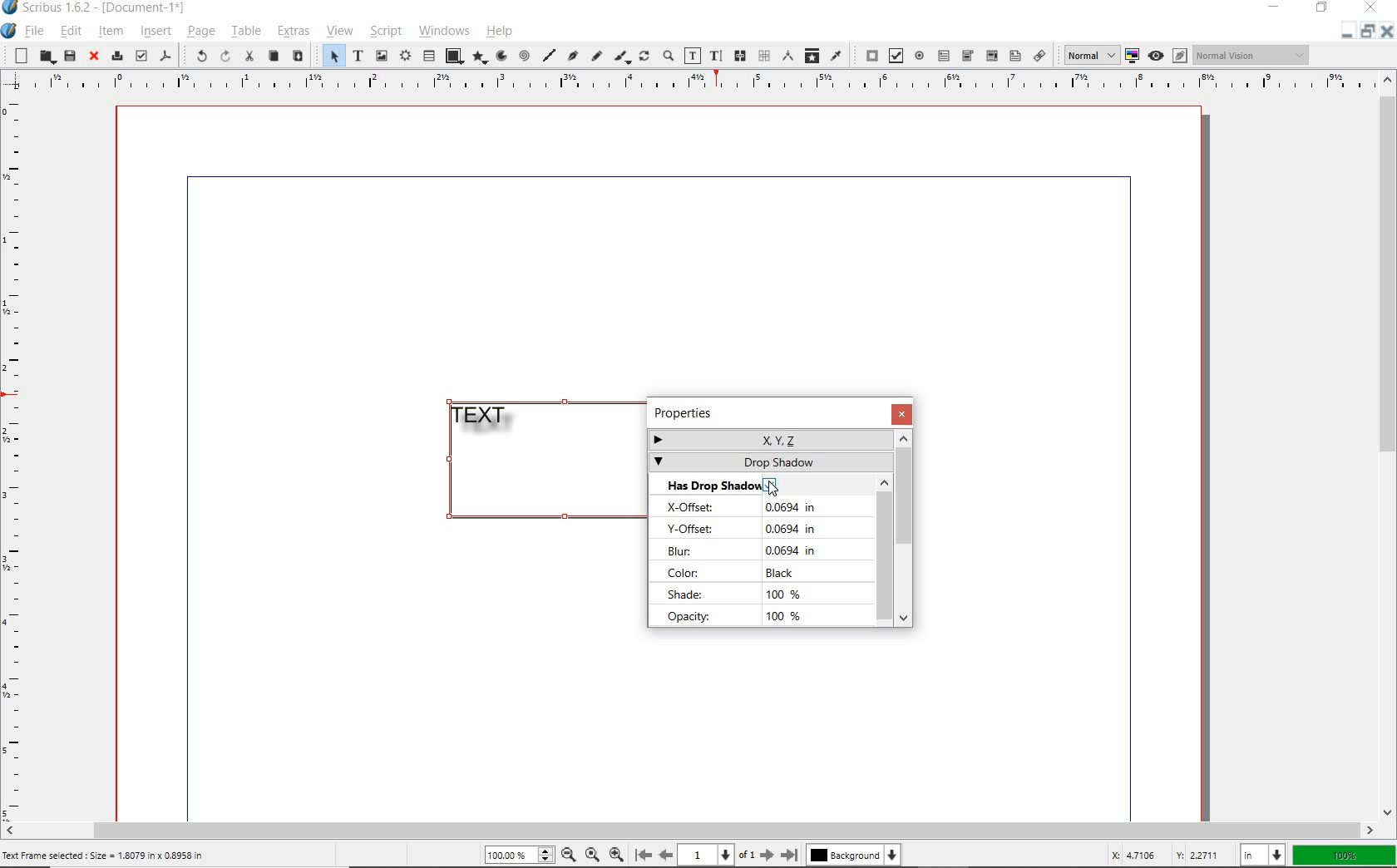 The height and width of the screenshot is (868, 1397). What do you see at coordinates (525, 55) in the screenshot?
I see `spiral` at bounding box center [525, 55].